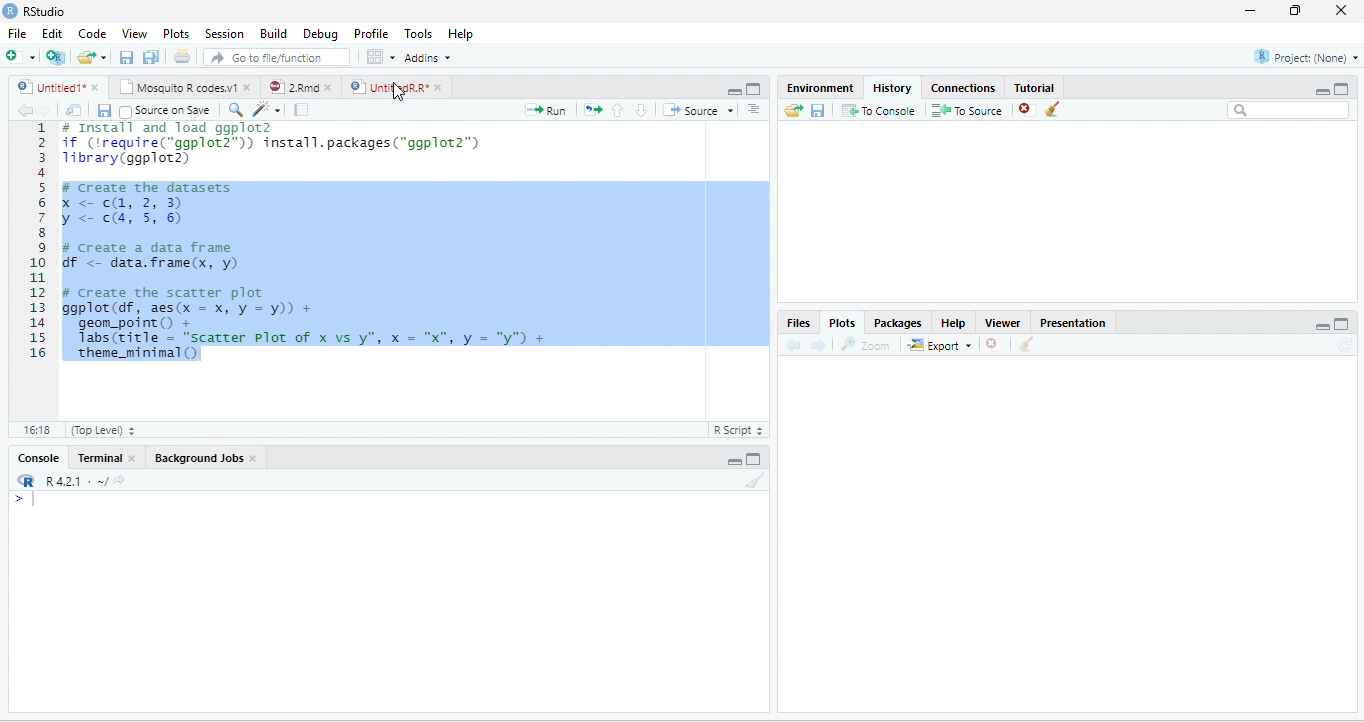 The image size is (1364, 722). I want to click on Minimize, so click(1322, 326).